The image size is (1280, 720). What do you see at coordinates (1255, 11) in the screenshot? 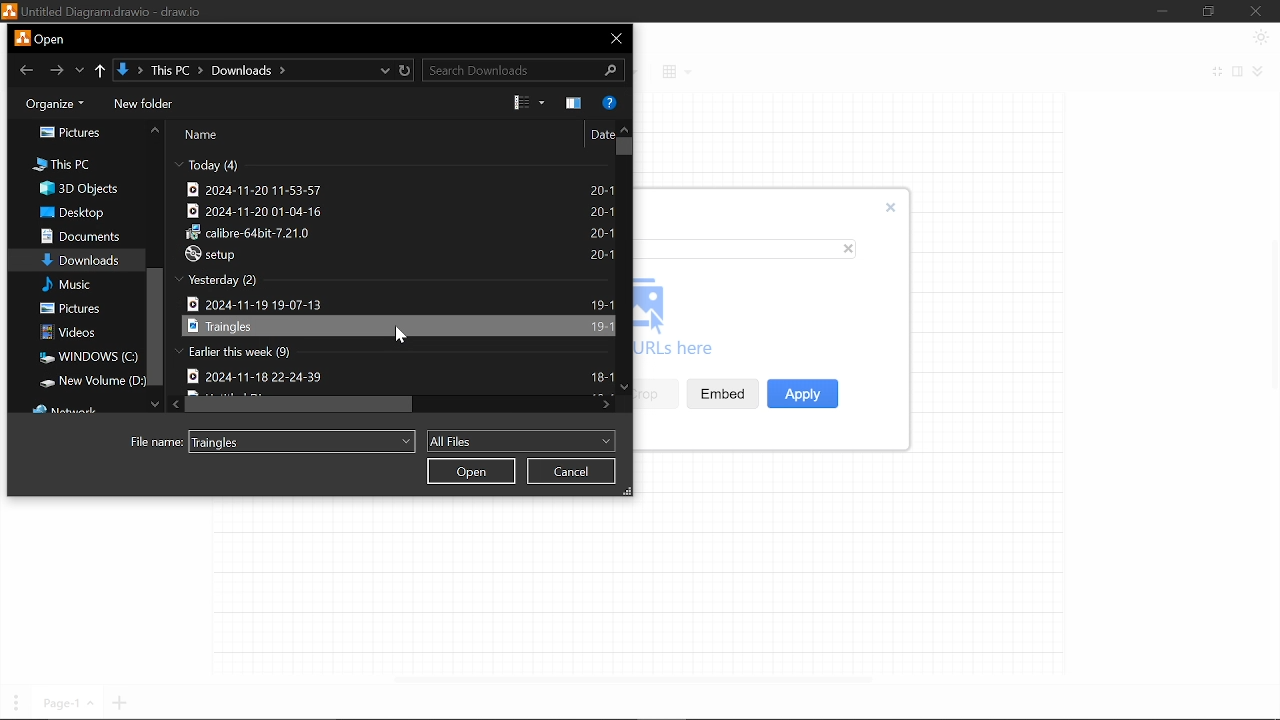
I see `Close` at bounding box center [1255, 11].